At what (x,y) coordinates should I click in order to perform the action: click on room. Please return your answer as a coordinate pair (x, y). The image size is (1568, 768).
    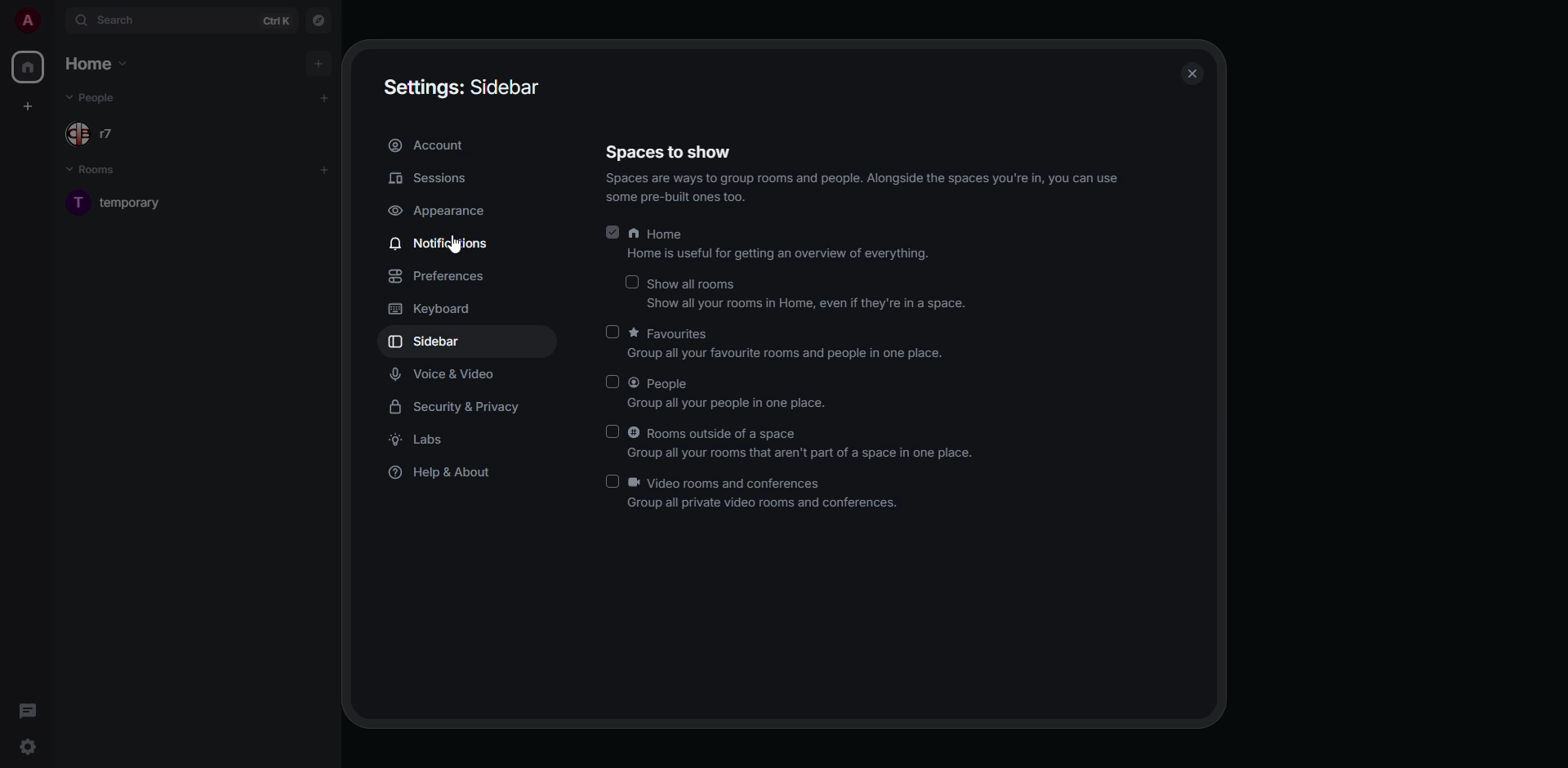
    Looking at the image, I should click on (133, 202).